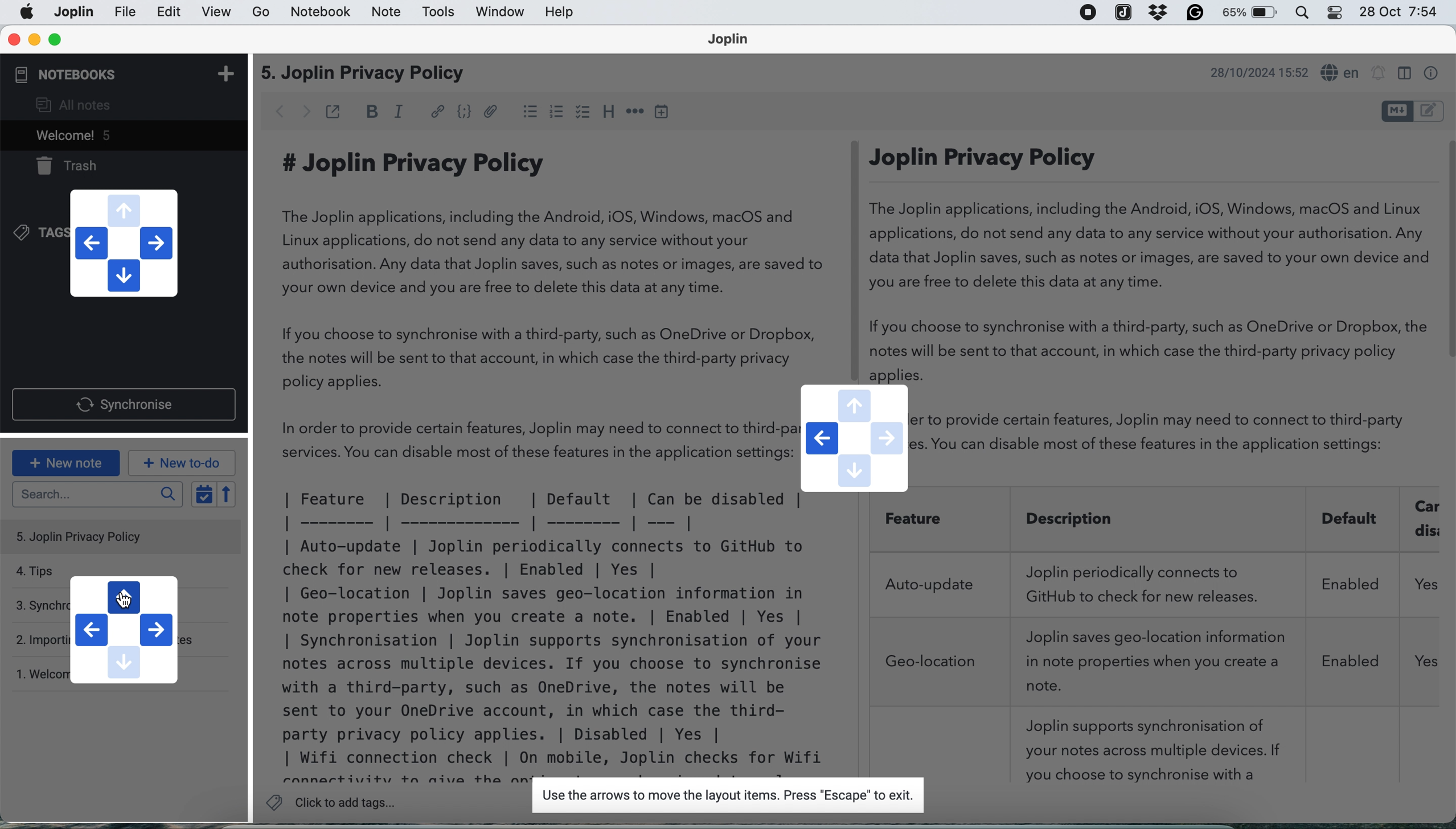 The width and height of the screenshot is (1456, 829). What do you see at coordinates (1087, 14) in the screenshot?
I see `screen recorder` at bounding box center [1087, 14].